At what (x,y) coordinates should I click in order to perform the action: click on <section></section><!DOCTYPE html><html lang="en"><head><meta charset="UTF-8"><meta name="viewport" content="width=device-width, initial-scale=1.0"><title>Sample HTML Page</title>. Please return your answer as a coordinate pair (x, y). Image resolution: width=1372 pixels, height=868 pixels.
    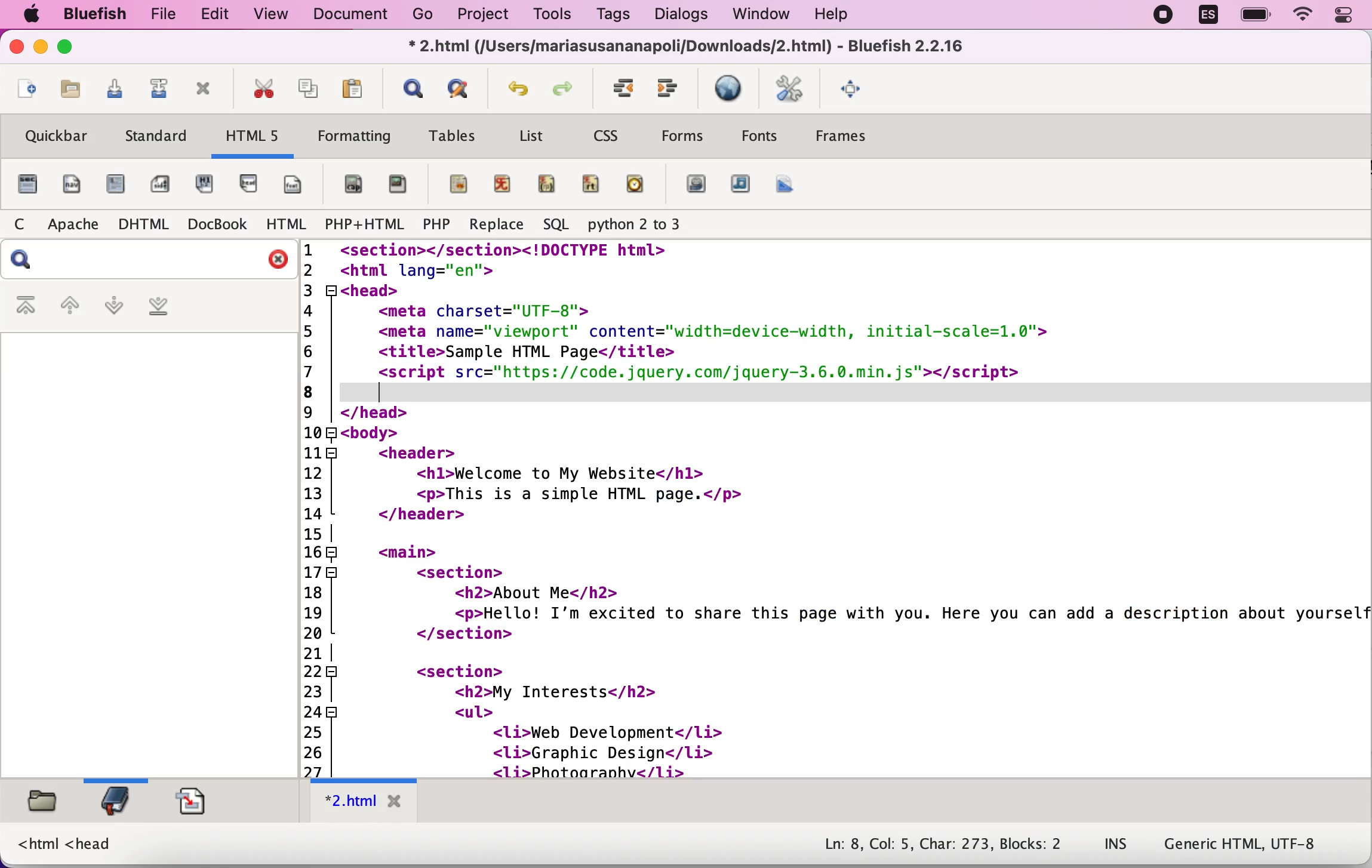
    Looking at the image, I should click on (829, 302).